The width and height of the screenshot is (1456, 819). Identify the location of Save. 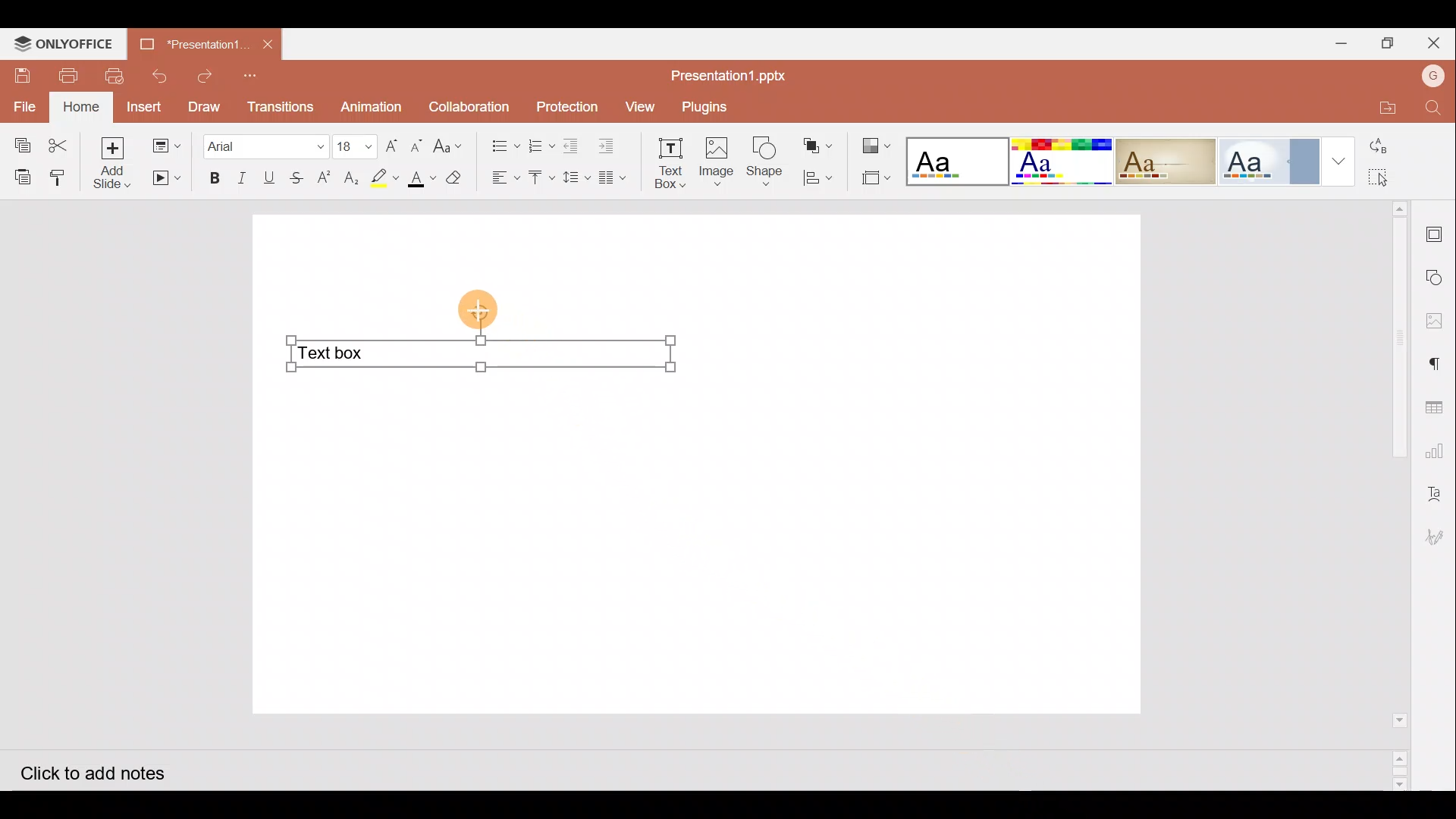
(19, 76).